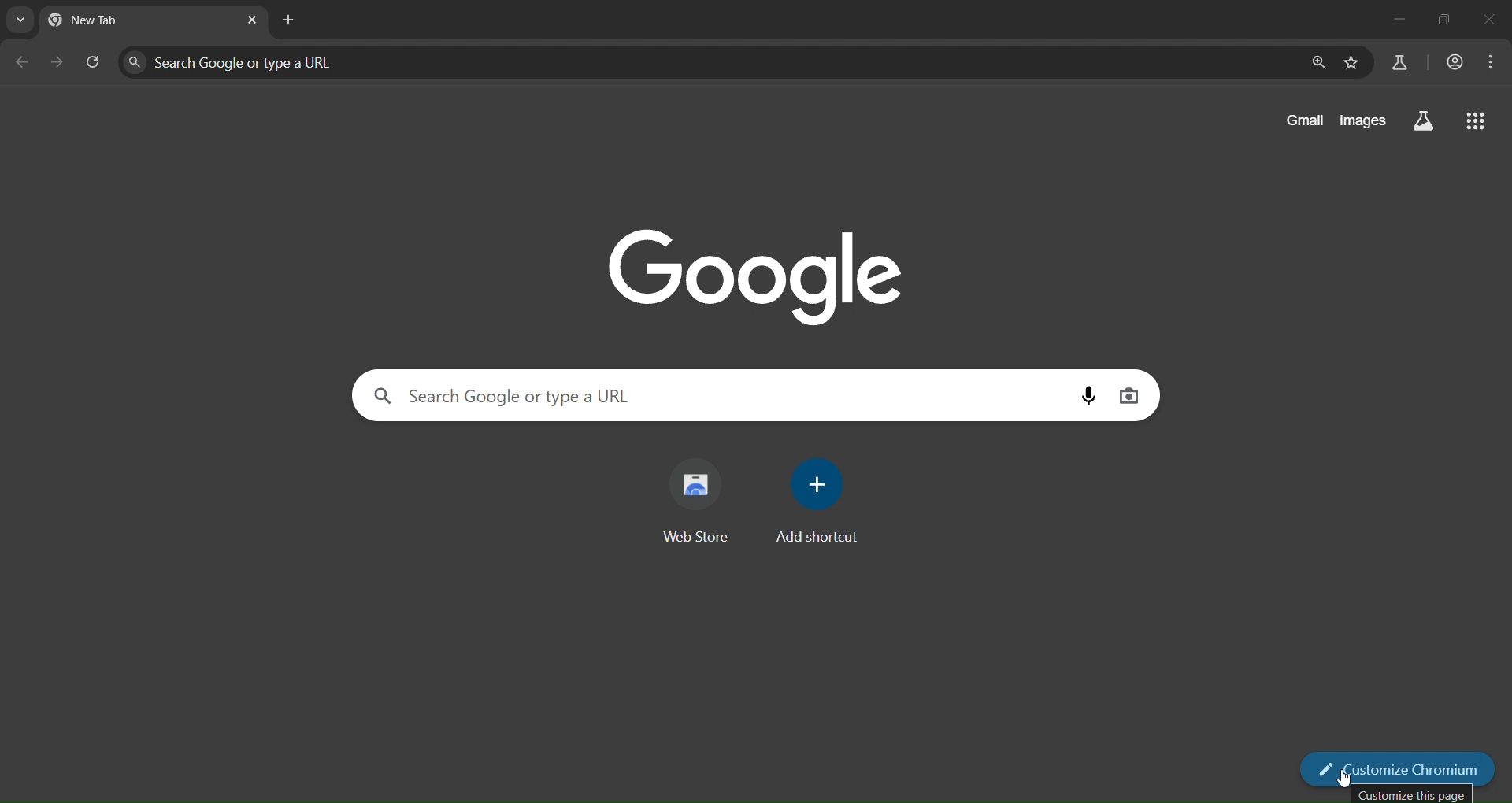 This screenshot has height=803, width=1512. What do you see at coordinates (1483, 20) in the screenshot?
I see `close` at bounding box center [1483, 20].